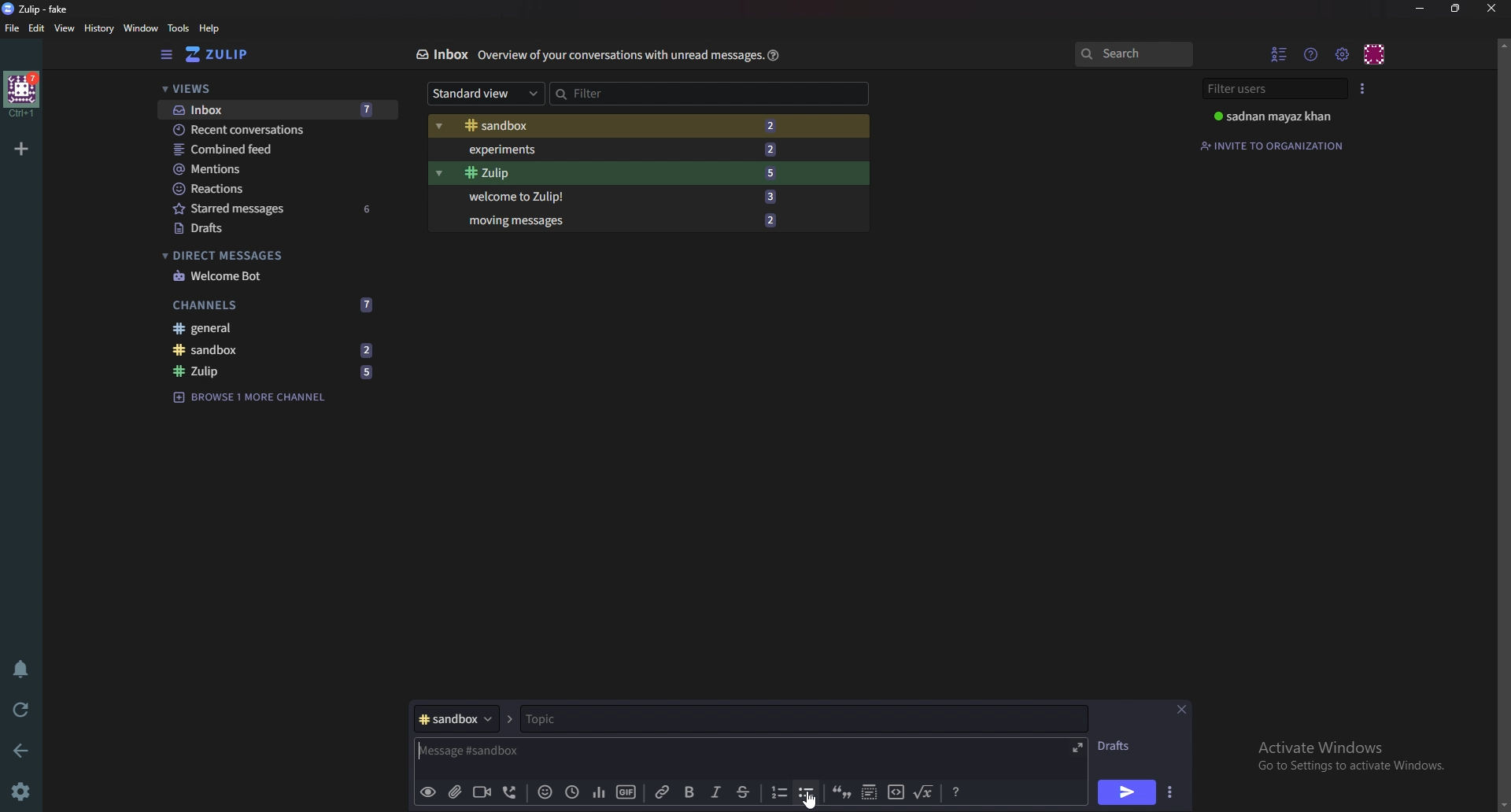 The height and width of the screenshot is (812, 1511). I want to click on bold, so click(692, 793).